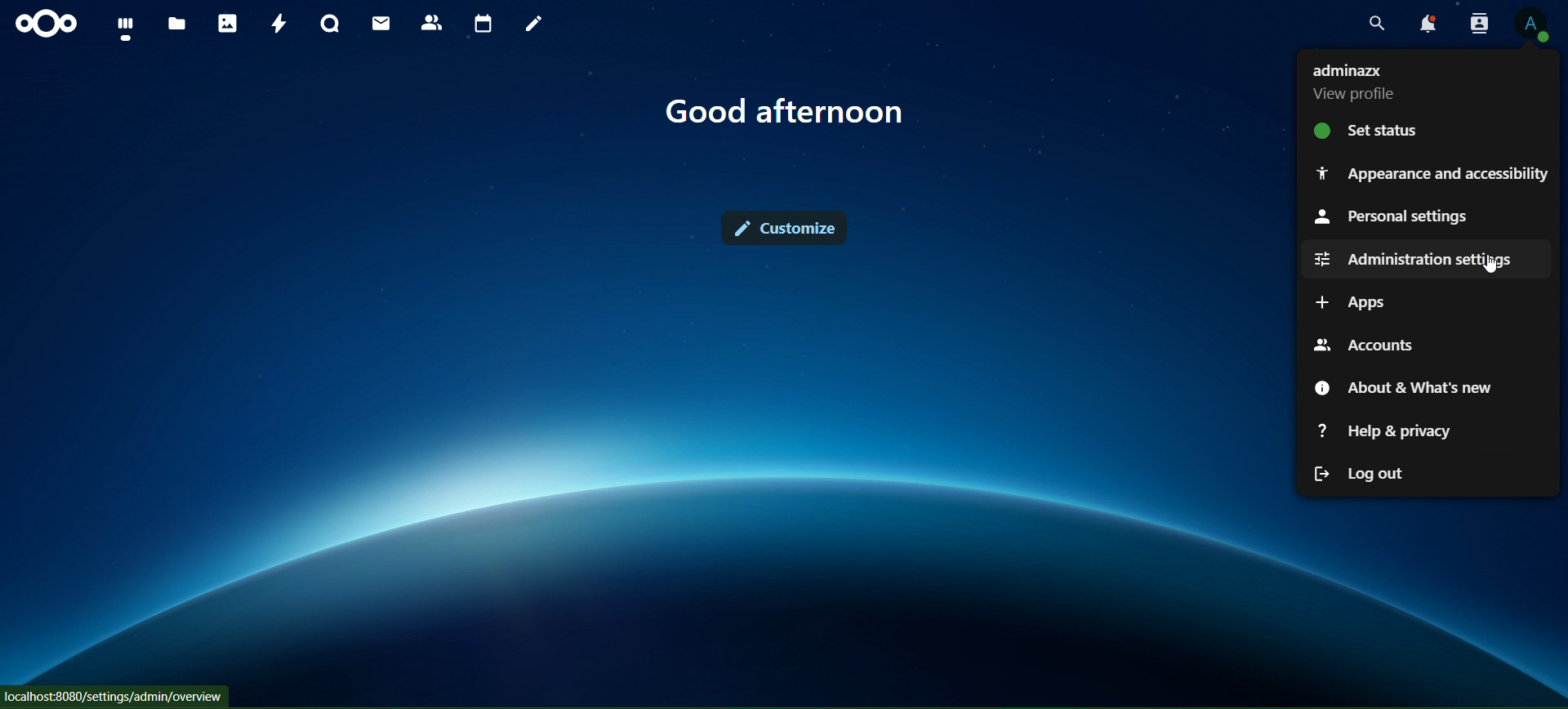 This screenshot has width=1568, height=709. Describe the element at coordinates (276, 24) in the screenshot. I see `activity` at that location.